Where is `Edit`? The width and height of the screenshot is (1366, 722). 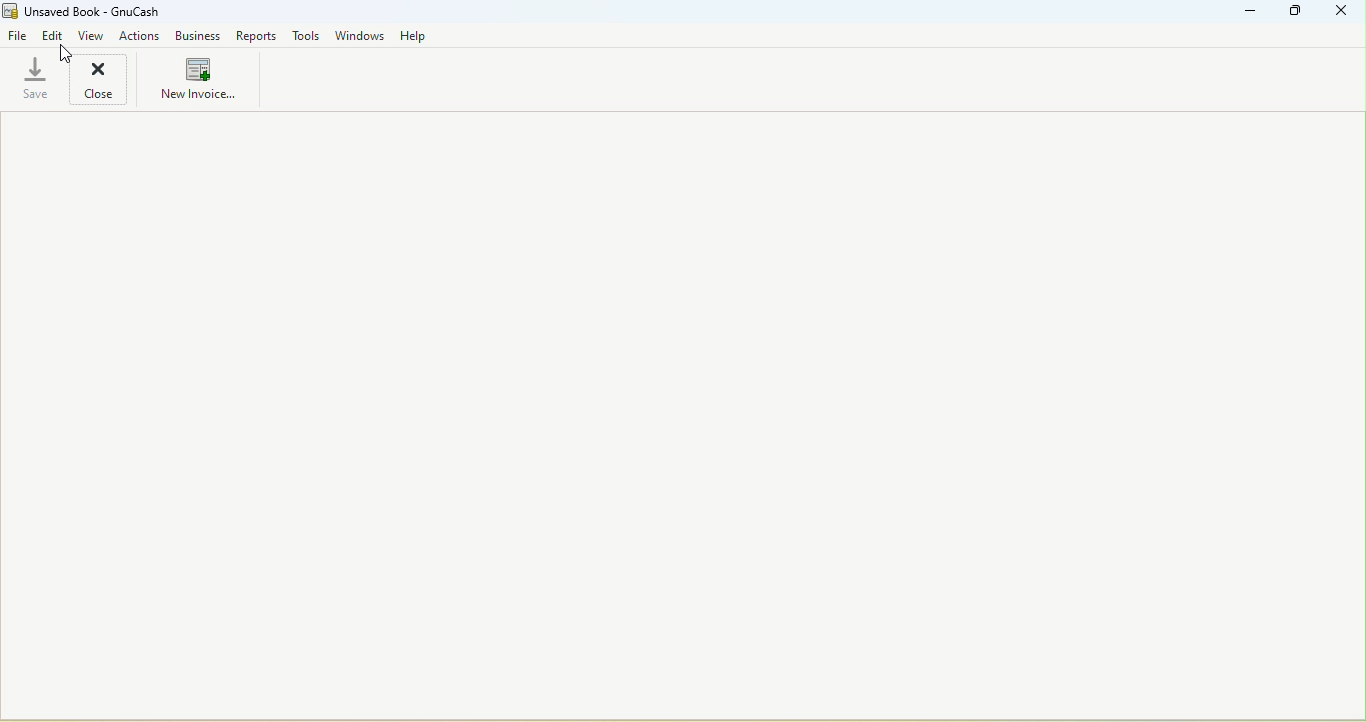
Edit is located at coordinates (53, 37).